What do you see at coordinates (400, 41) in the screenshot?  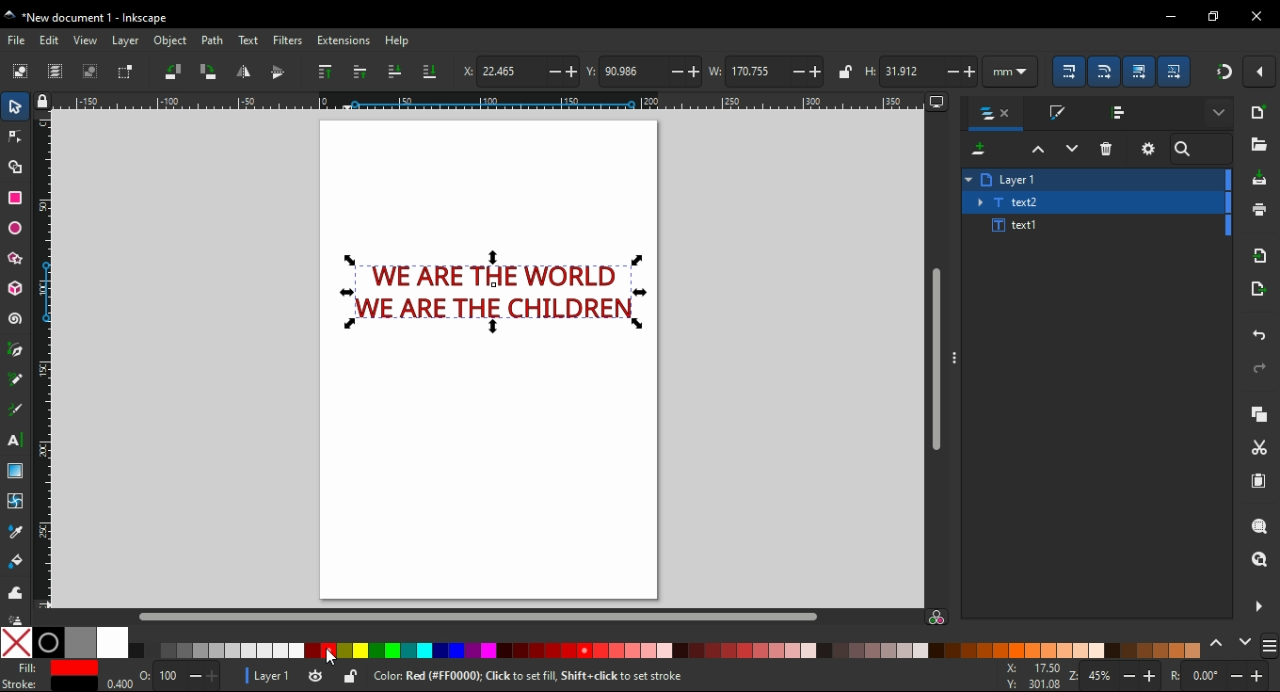 I see `help` at bounding box center [400, 41].